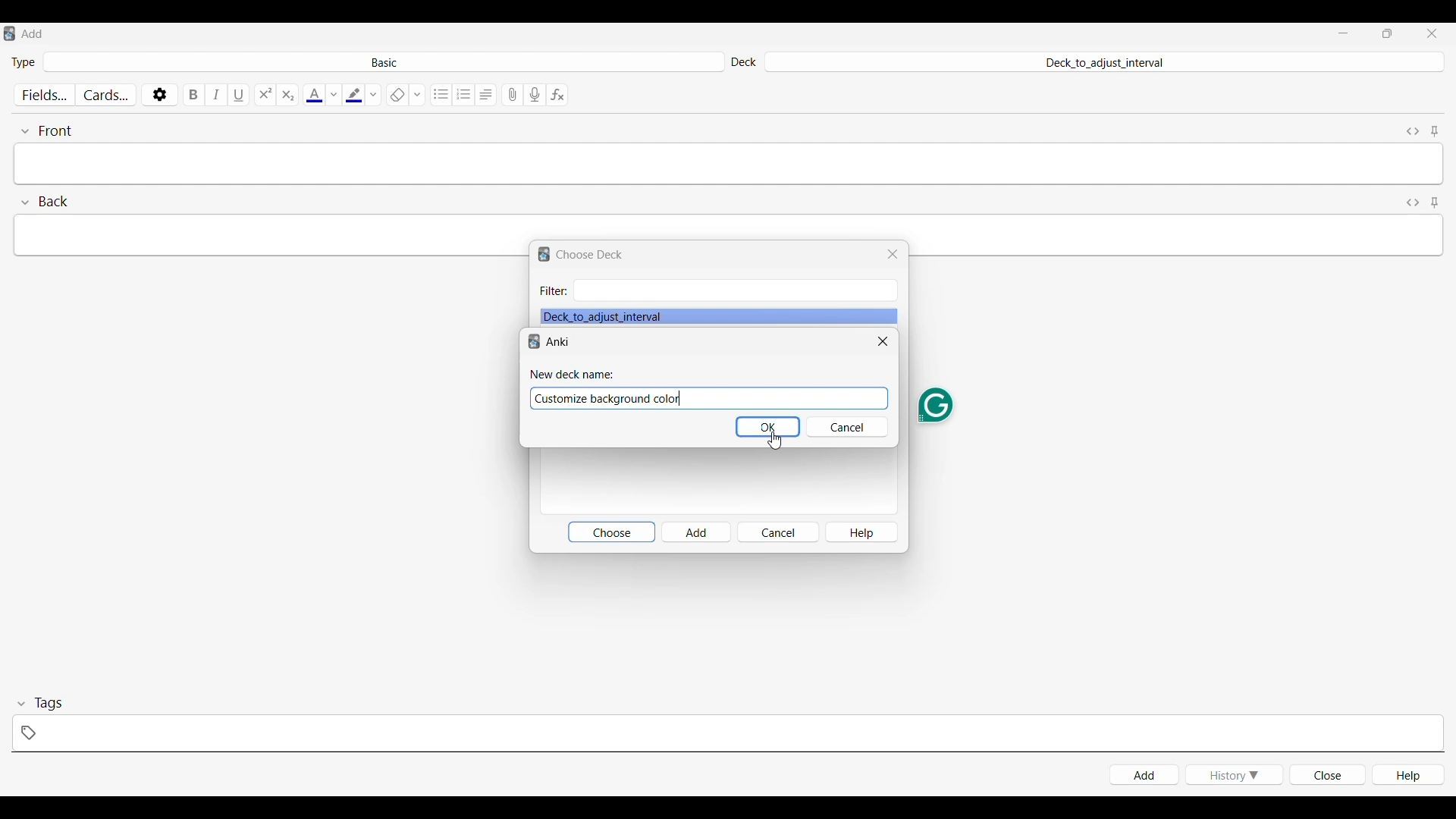  What do you see at coordinates (513, 95) in the screenshot?
I see `Attach pictures/audio/video` at bounding box center [513, 95].